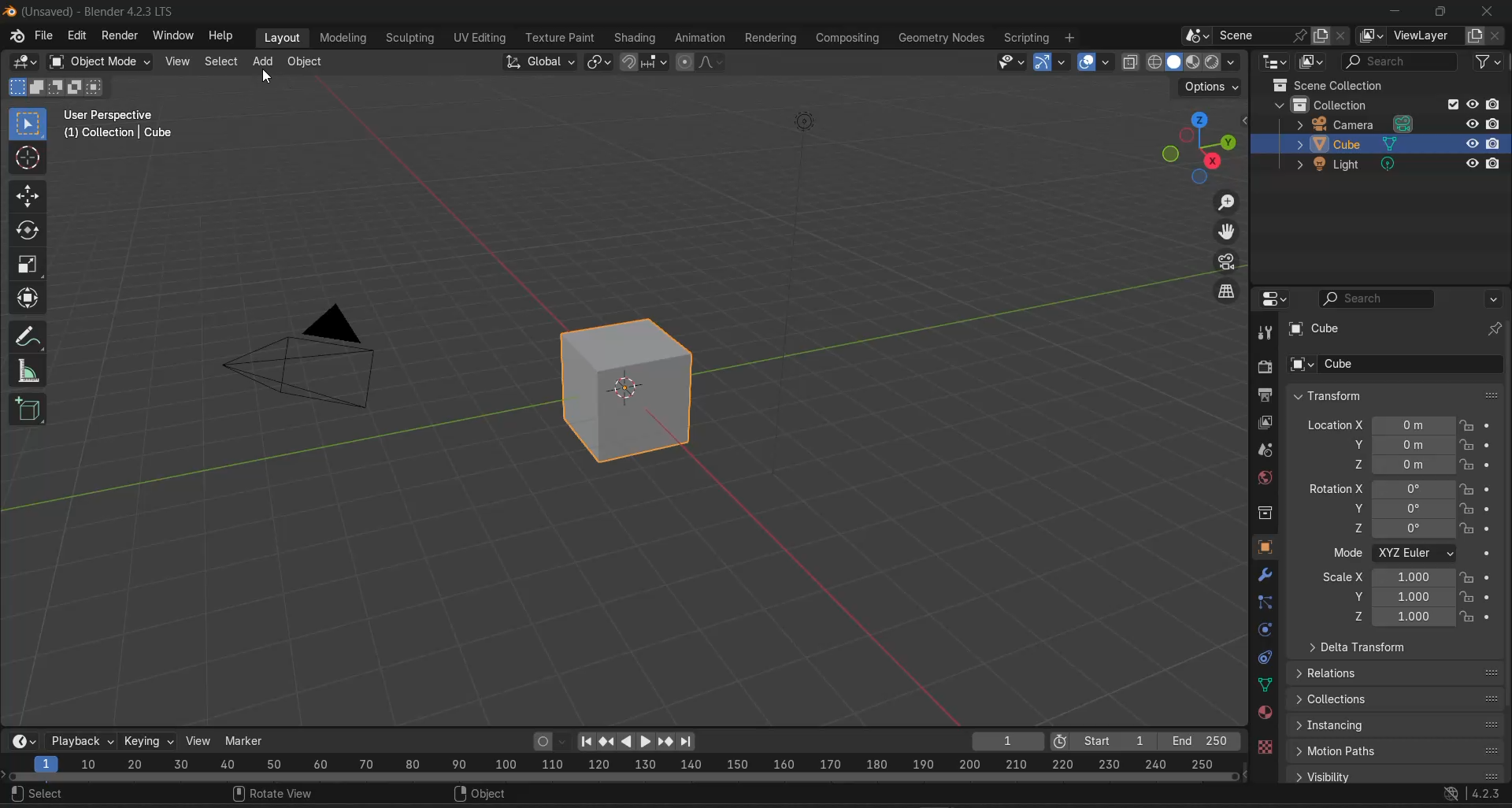 The image size is (1512, 808). What do you see at coordinates (28, 196) in the screenshot?
I see `move` at bounding box center [28, 196].